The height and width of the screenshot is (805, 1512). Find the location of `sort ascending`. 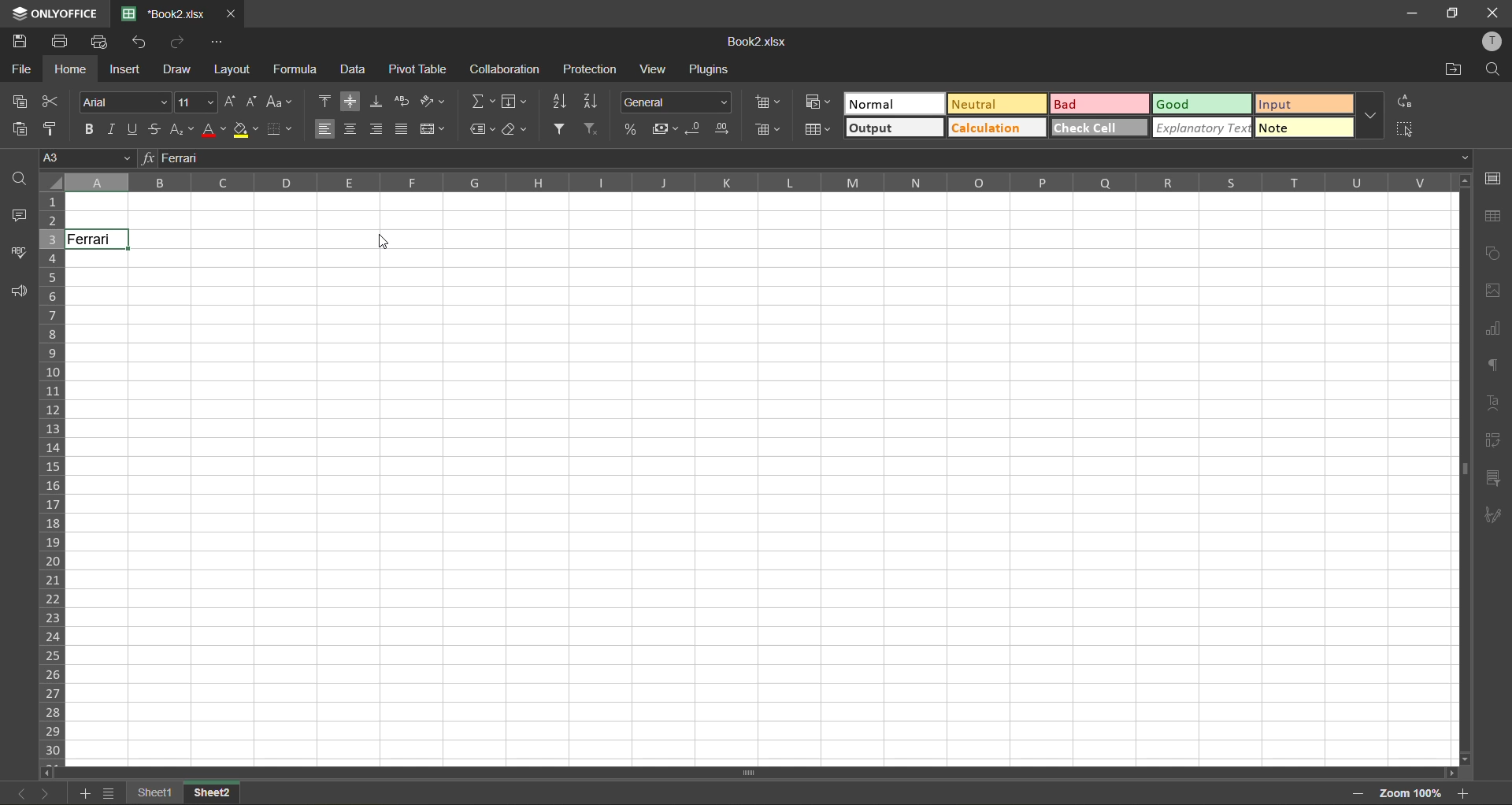

sort ascending is located at coordinates (560, 101).